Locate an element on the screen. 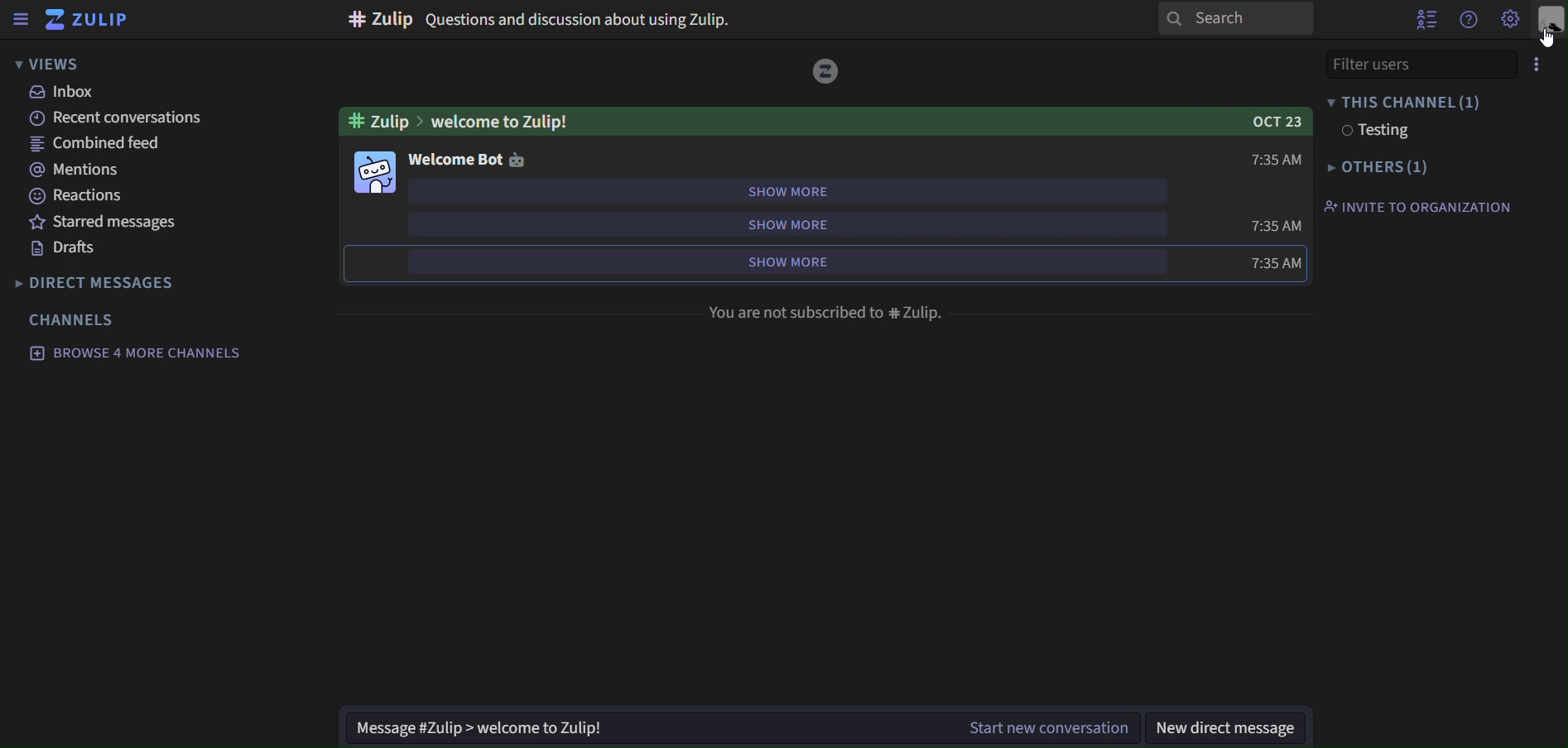 Image resolution: width=1568 pixels, height=748 pixels. invite to organization is located at coordinates (1416, 206).